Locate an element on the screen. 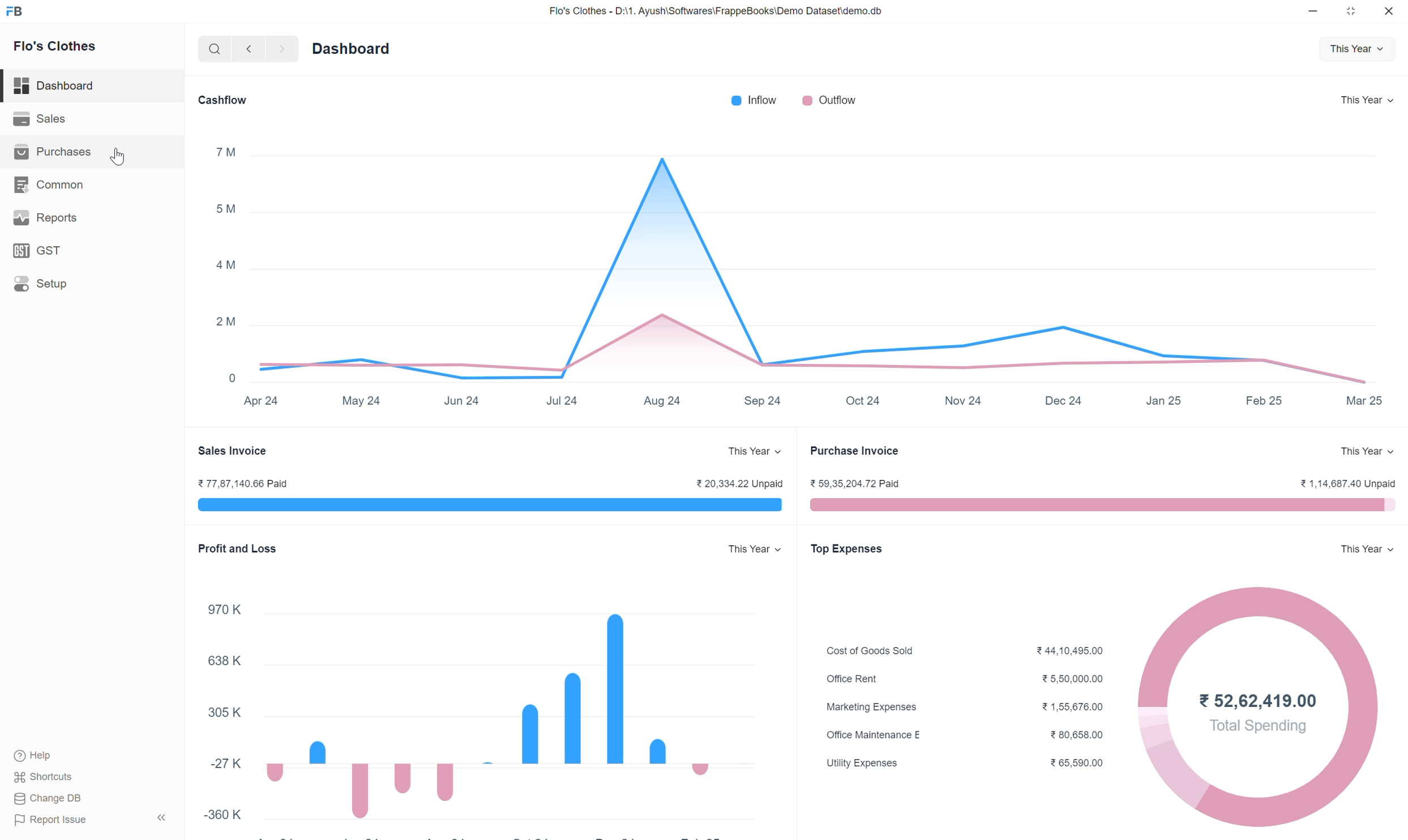 The image size is (1408, 840). Flo's Clothes is located at coordinates (55, 46).